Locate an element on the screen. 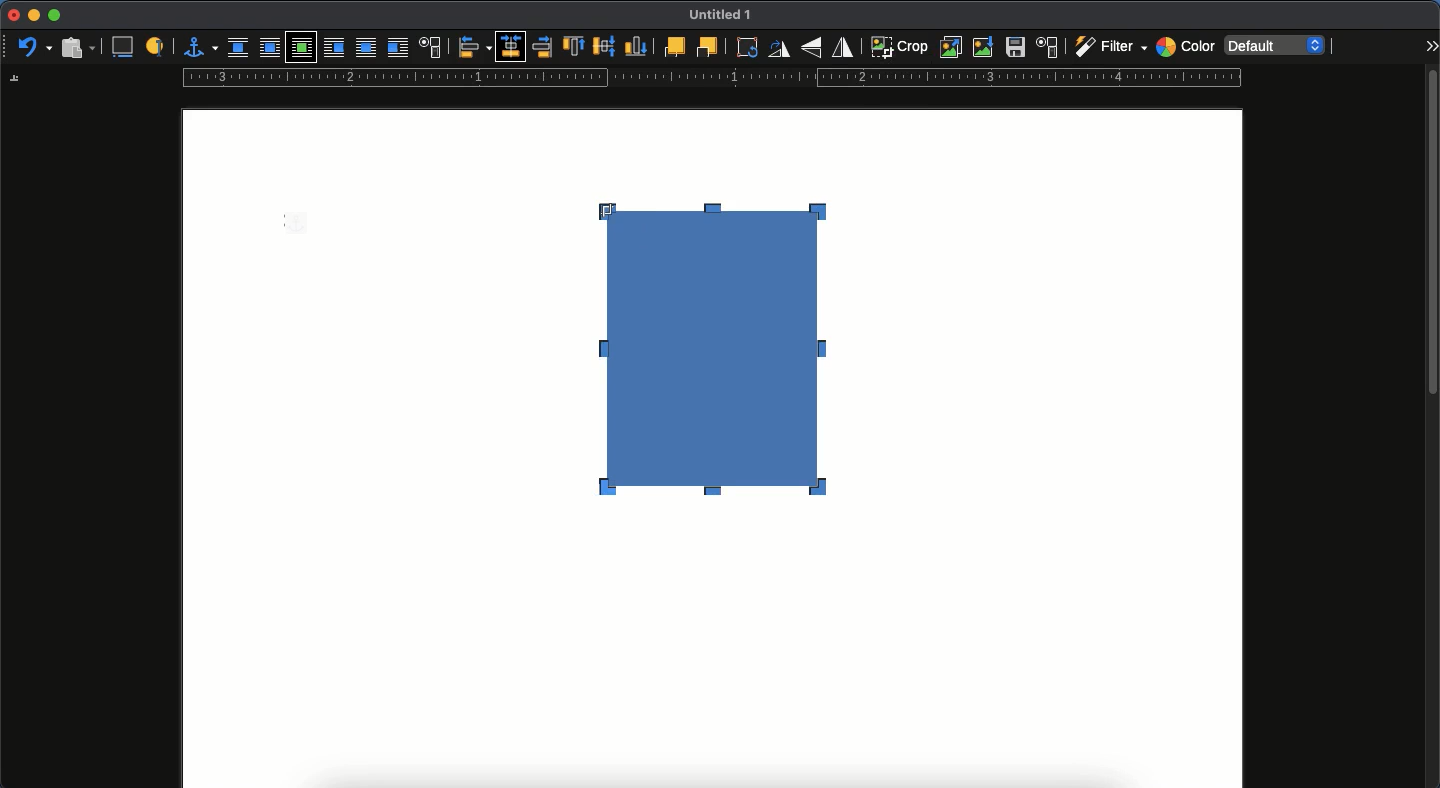 This screenshot has width=1440, height=788. flip horizontally is located at coordinates (844, 46).